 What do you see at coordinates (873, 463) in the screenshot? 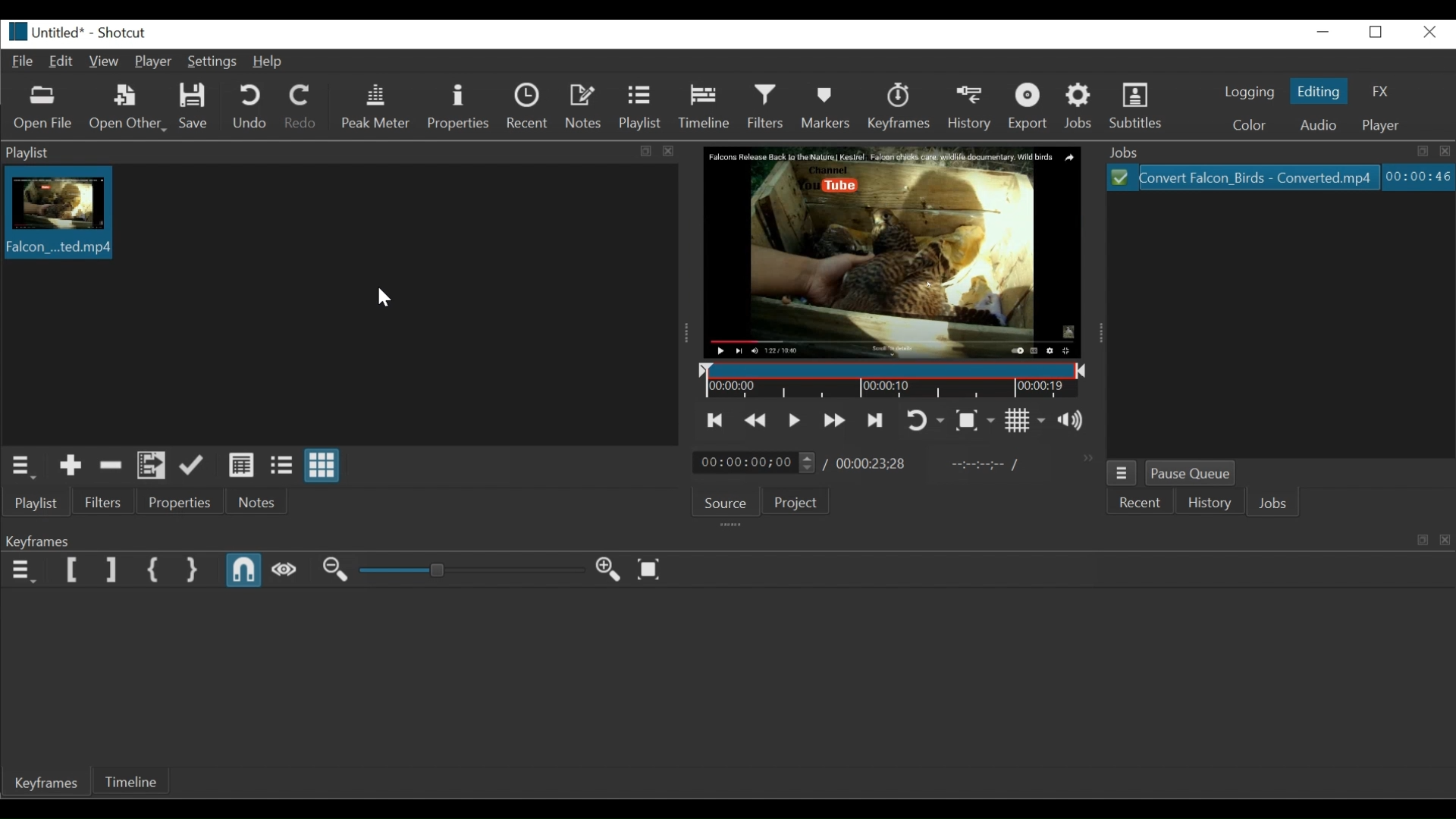
I see `Total Duration` at bounding box center [873, 463].